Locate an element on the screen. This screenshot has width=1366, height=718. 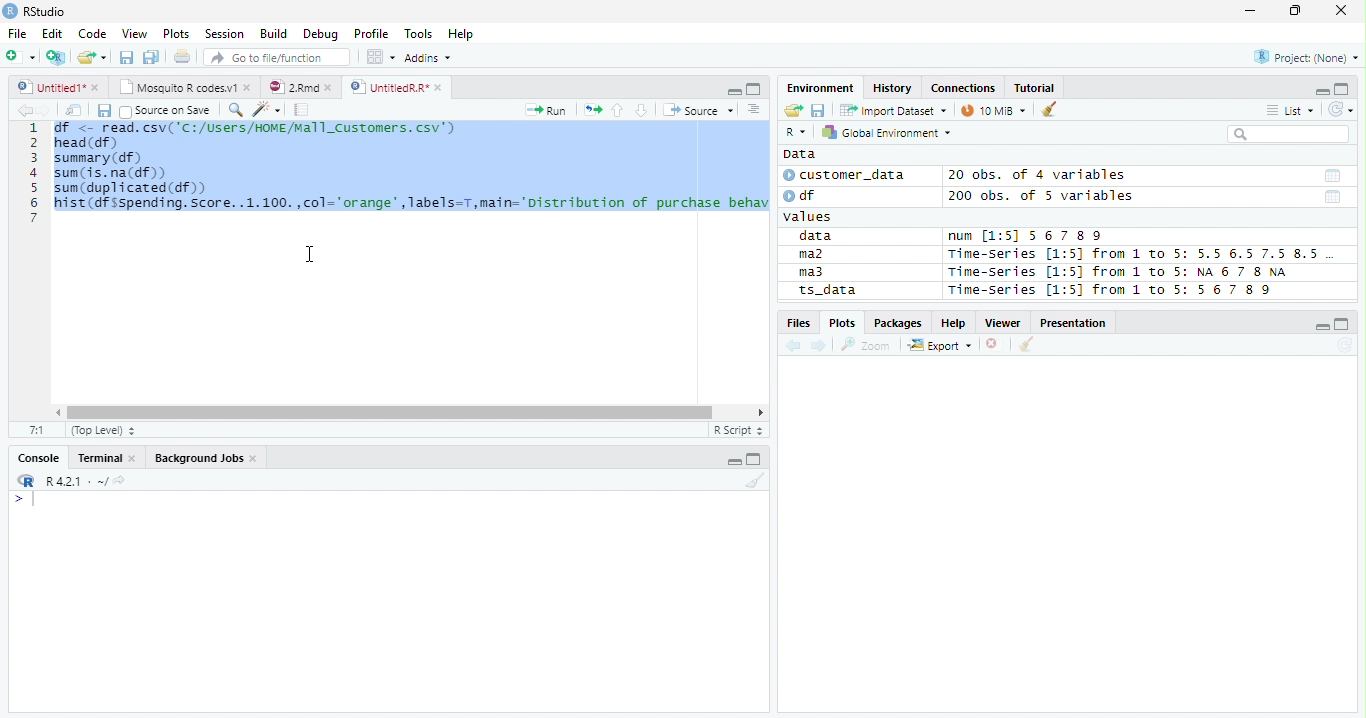
Minimze is located at coordinates (1320, 90).